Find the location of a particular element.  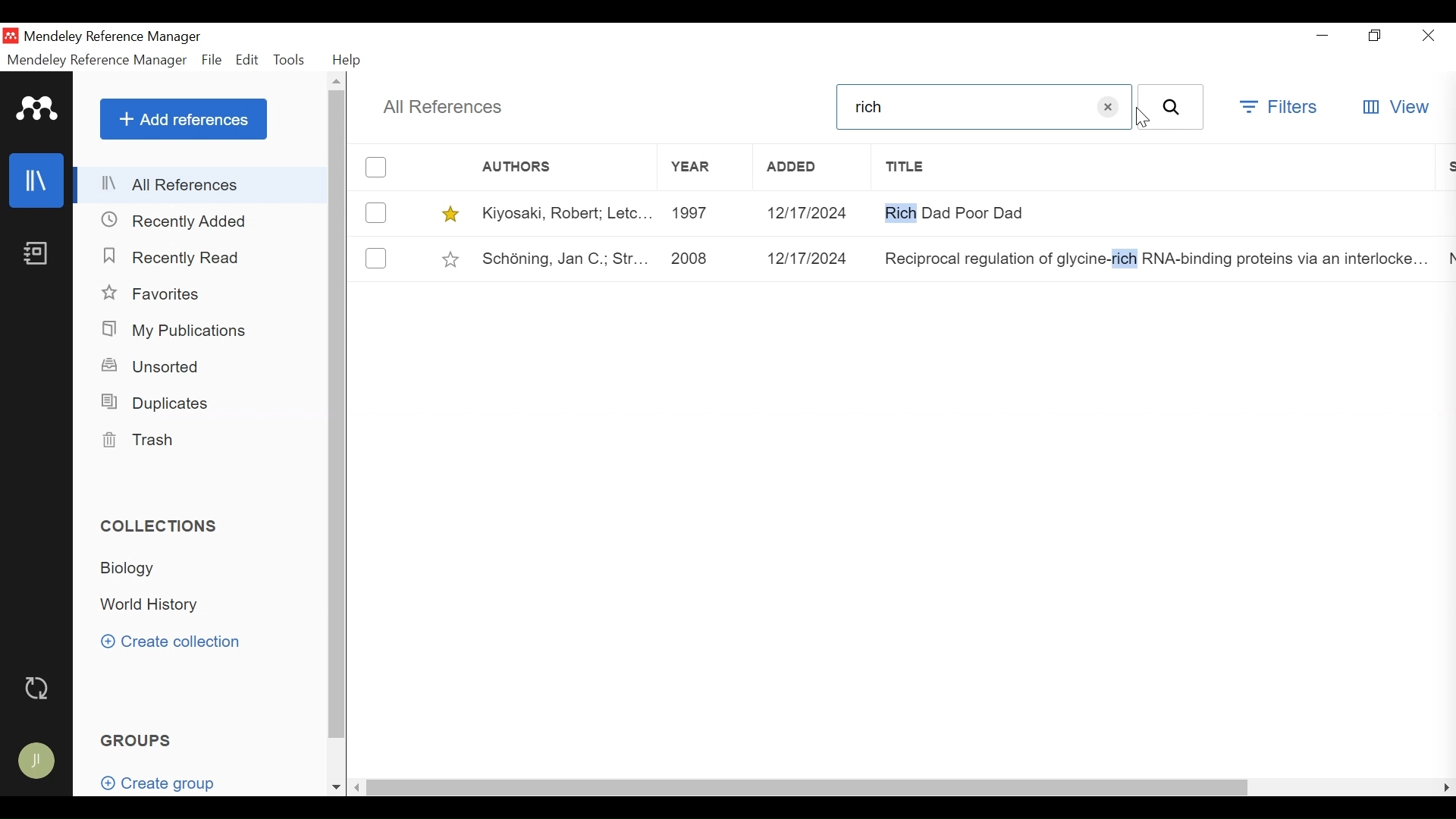

(un)select is located at coordinates (377, 258).